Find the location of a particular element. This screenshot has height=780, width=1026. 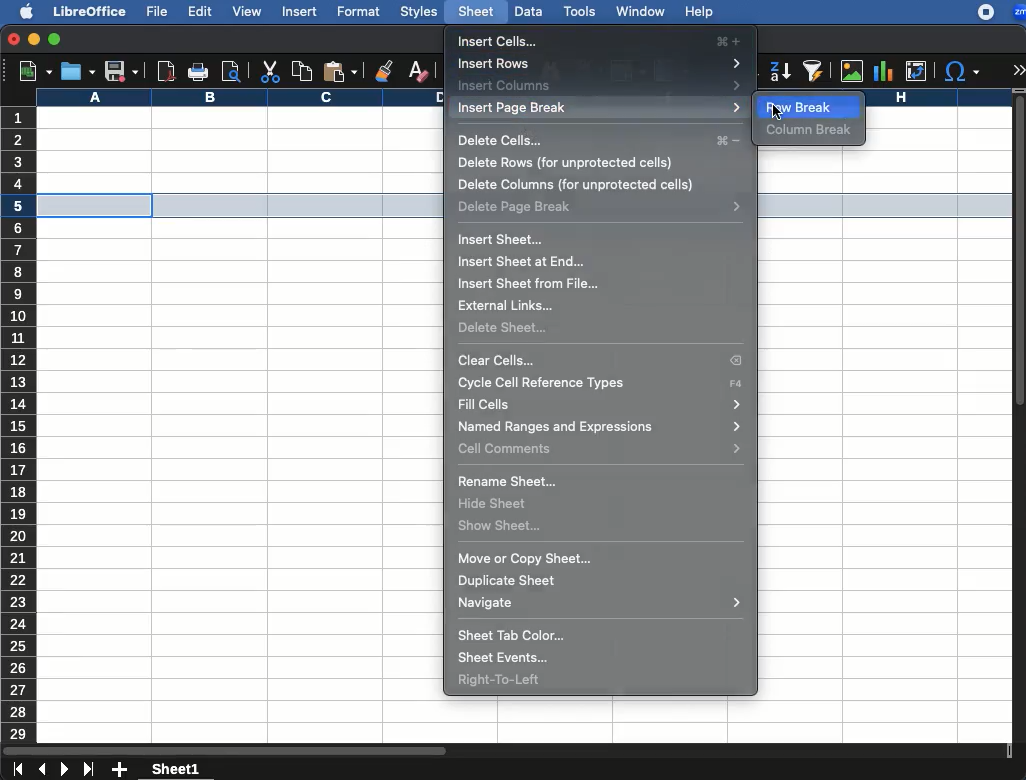

save is located at coordinates (122, 72).